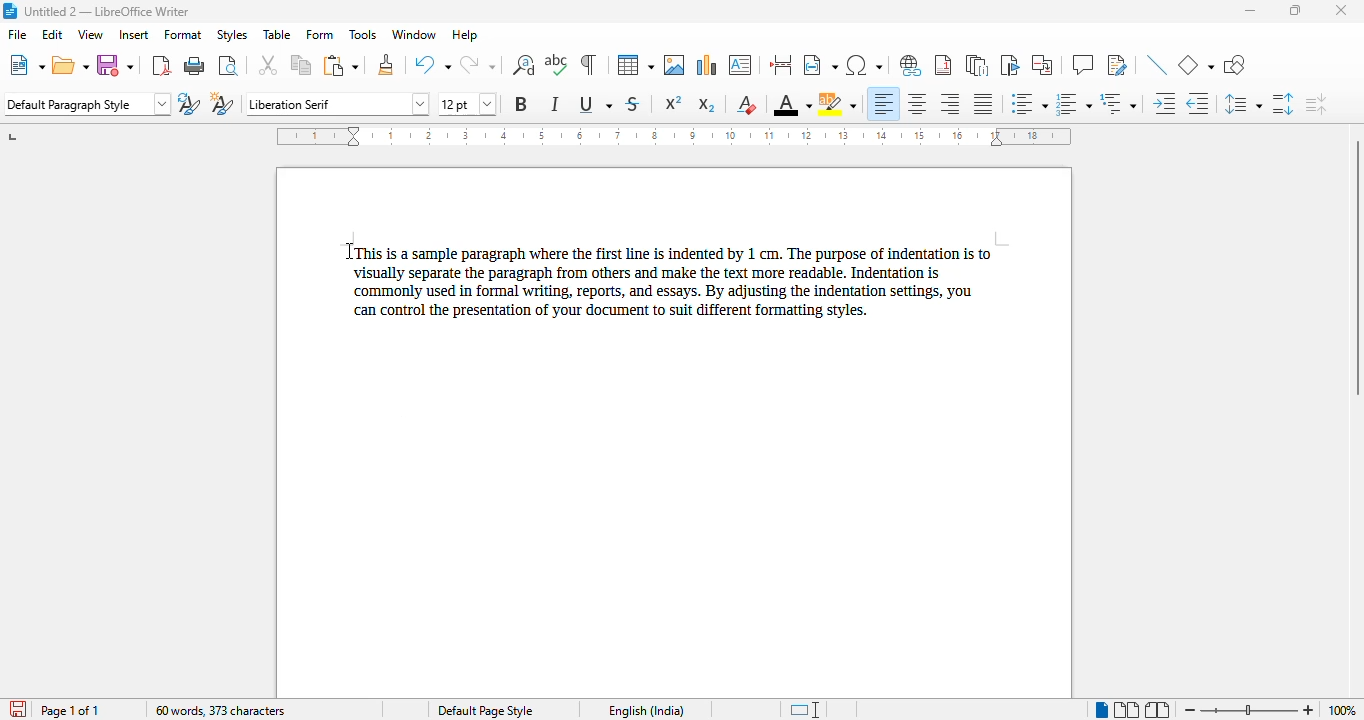 The height and width of the screenshot is (720, 1364). I want to click on align left, so click(882, 103).